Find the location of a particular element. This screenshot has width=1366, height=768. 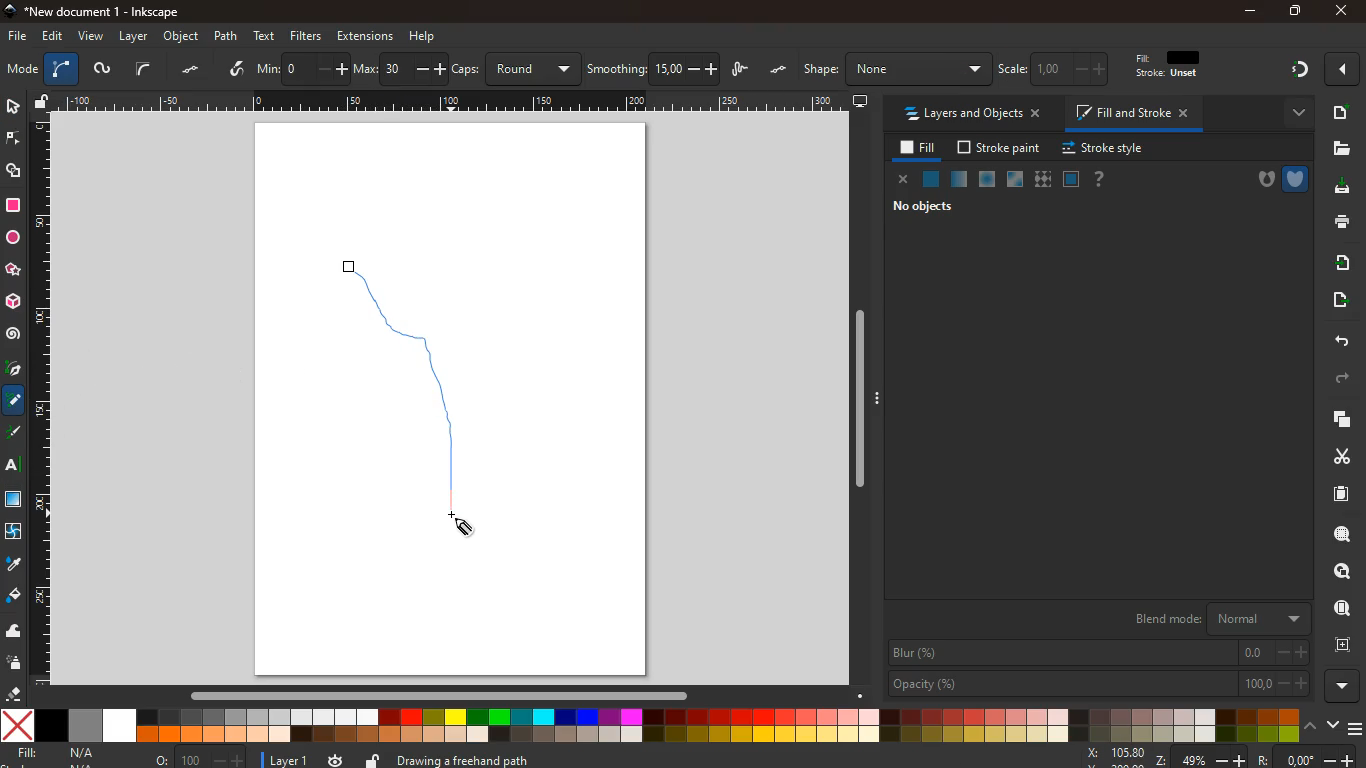

filters is located at coordinates (309, 36).